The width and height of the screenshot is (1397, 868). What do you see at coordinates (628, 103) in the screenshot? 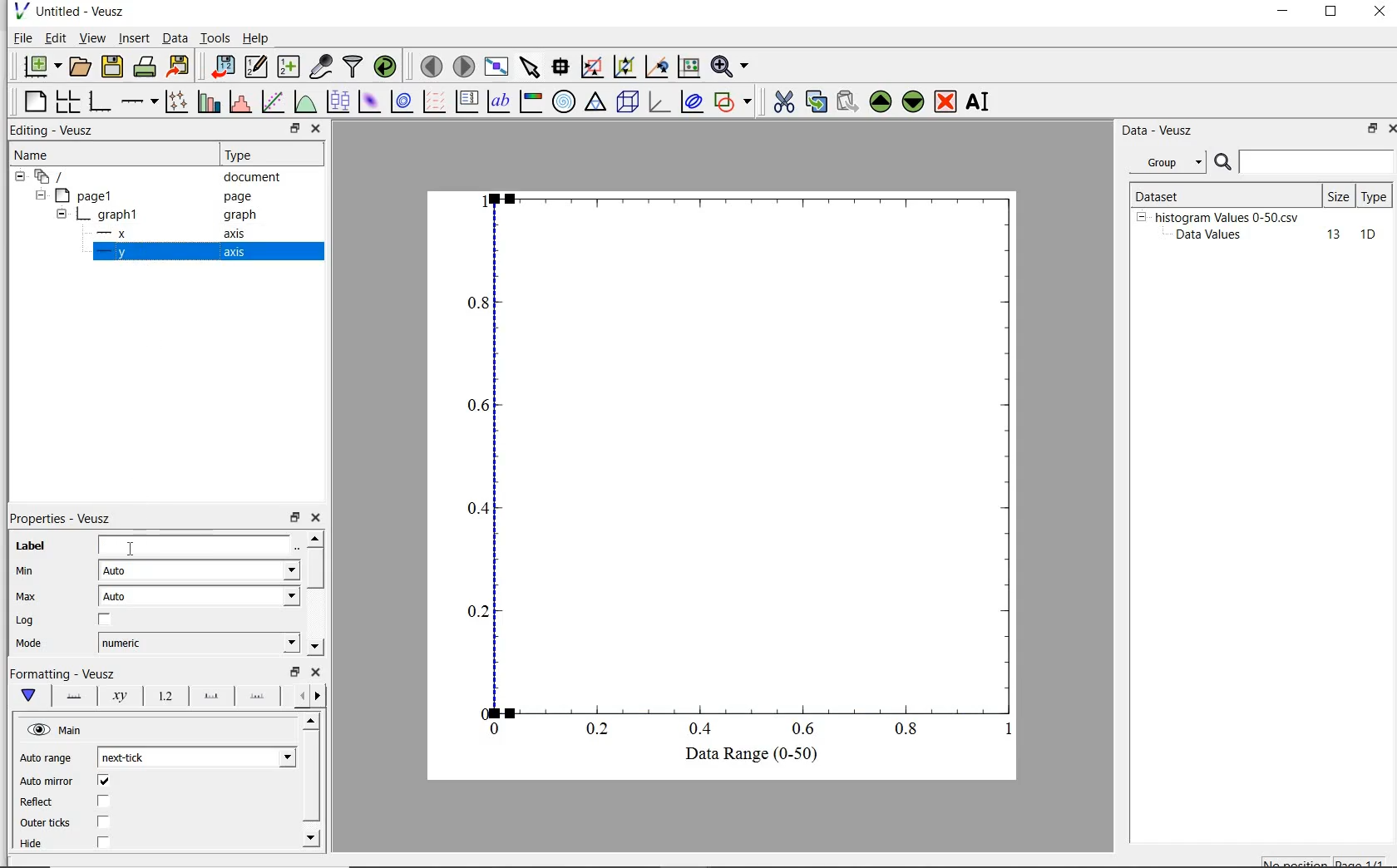
I see `3d scene` at bounding box center [628, 103].